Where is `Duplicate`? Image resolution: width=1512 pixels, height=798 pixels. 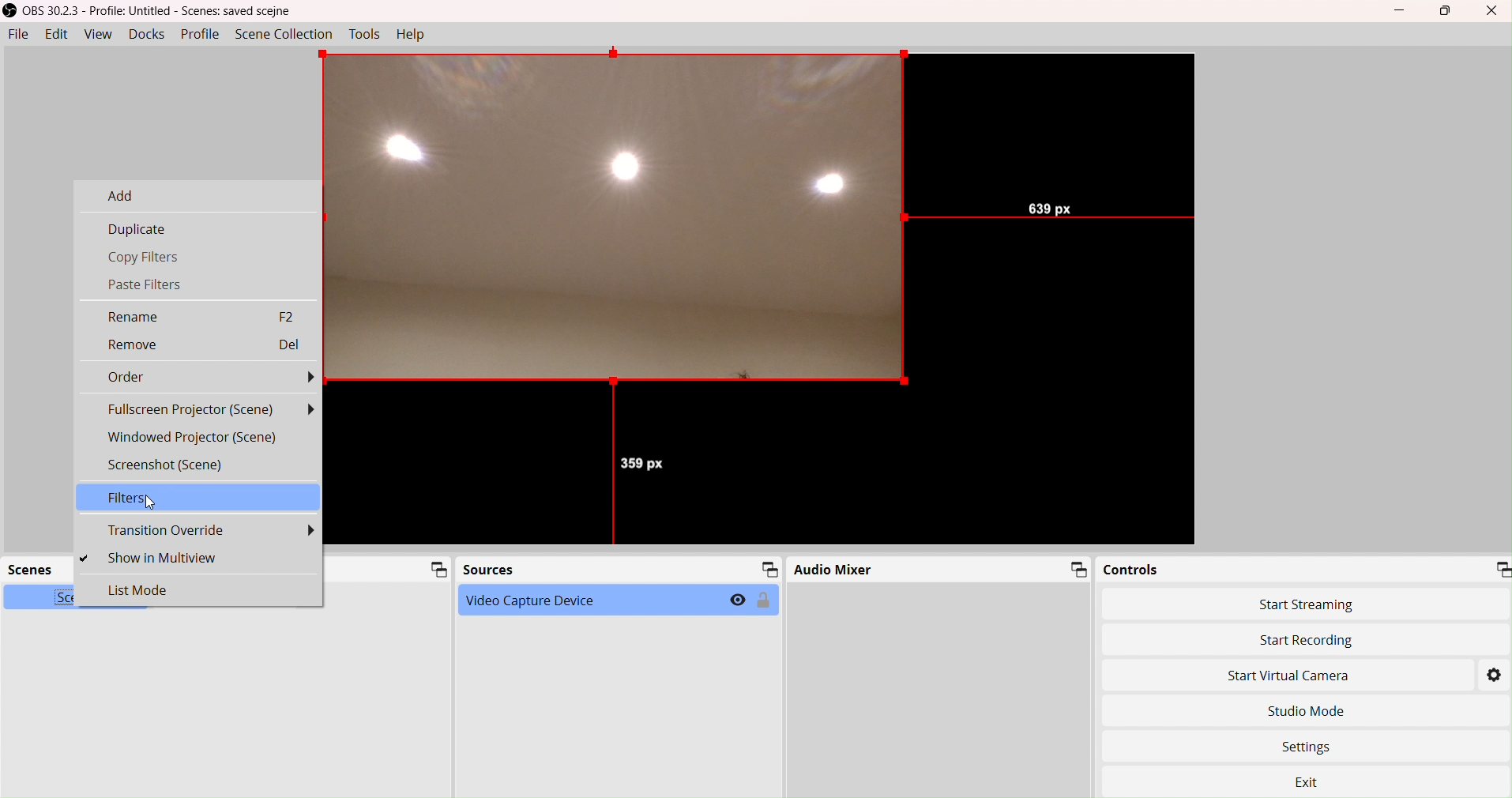 Duplicate is located at coordinates (137, 229).